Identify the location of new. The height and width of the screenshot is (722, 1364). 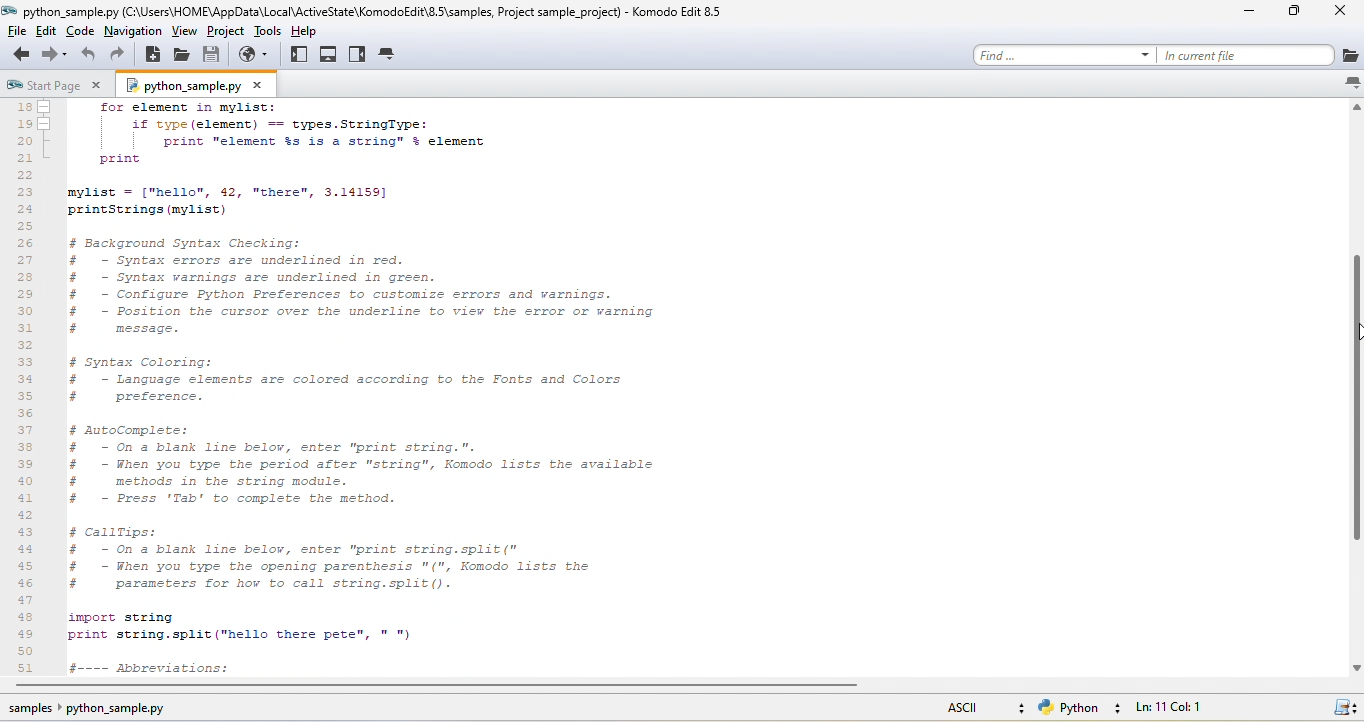
(153, 55).